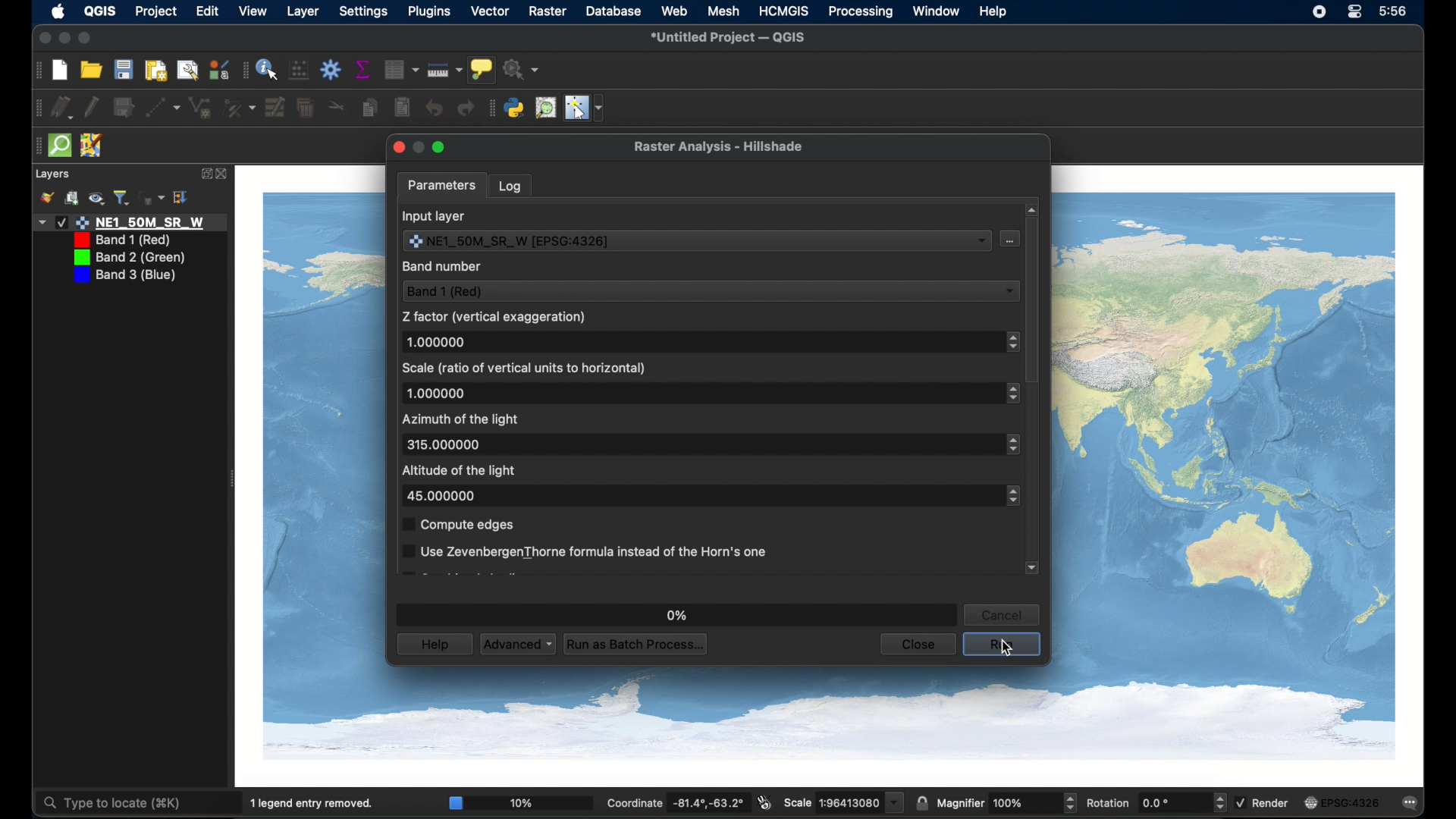  What do you see at coordinates (438, 394) in the screenshot?
I see `1.000000` at bounding box center [438, 394].